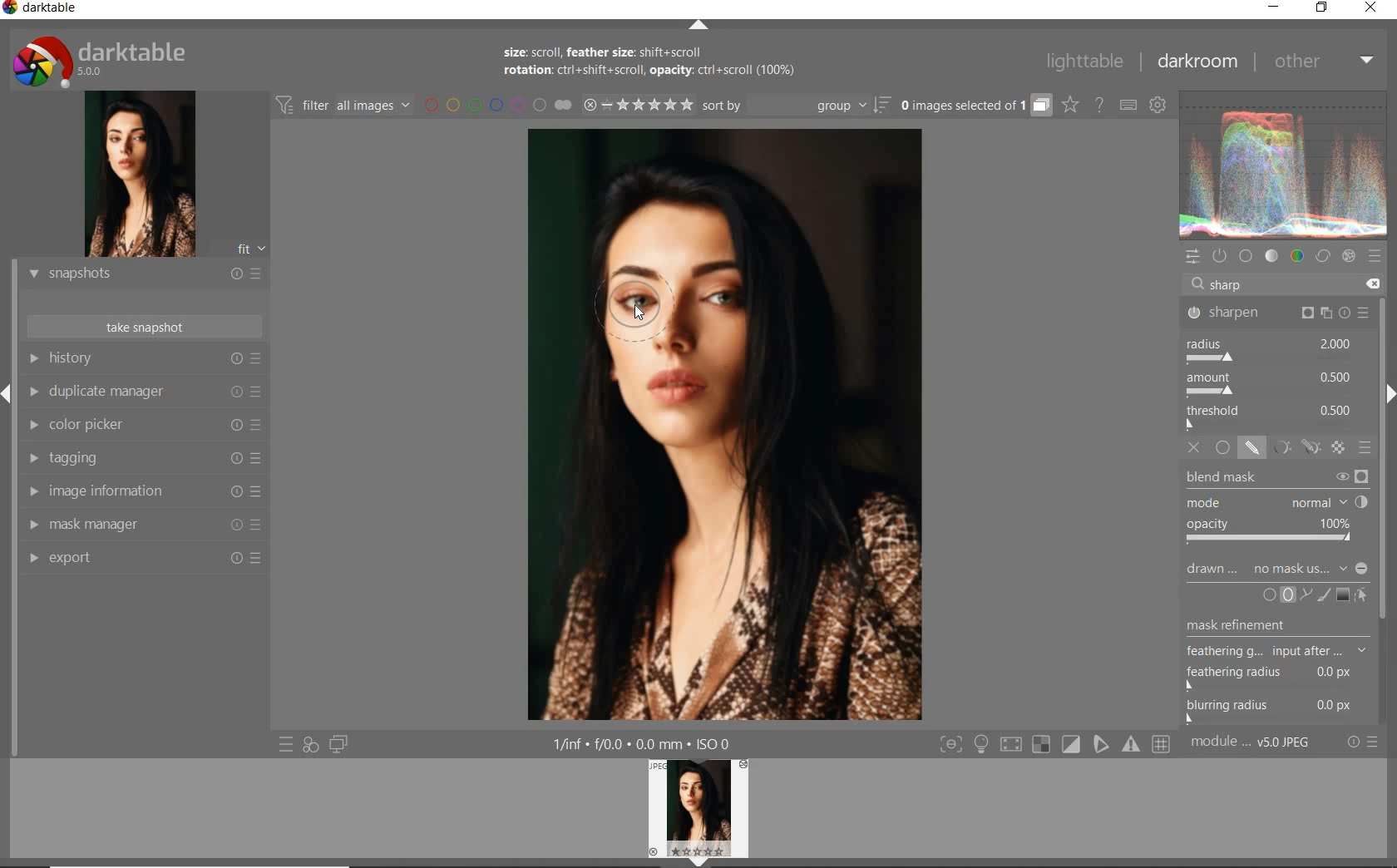  Describe the element at coordinates (339, 743) in the screenshot. I see `display a second darkroom image window` at that location.